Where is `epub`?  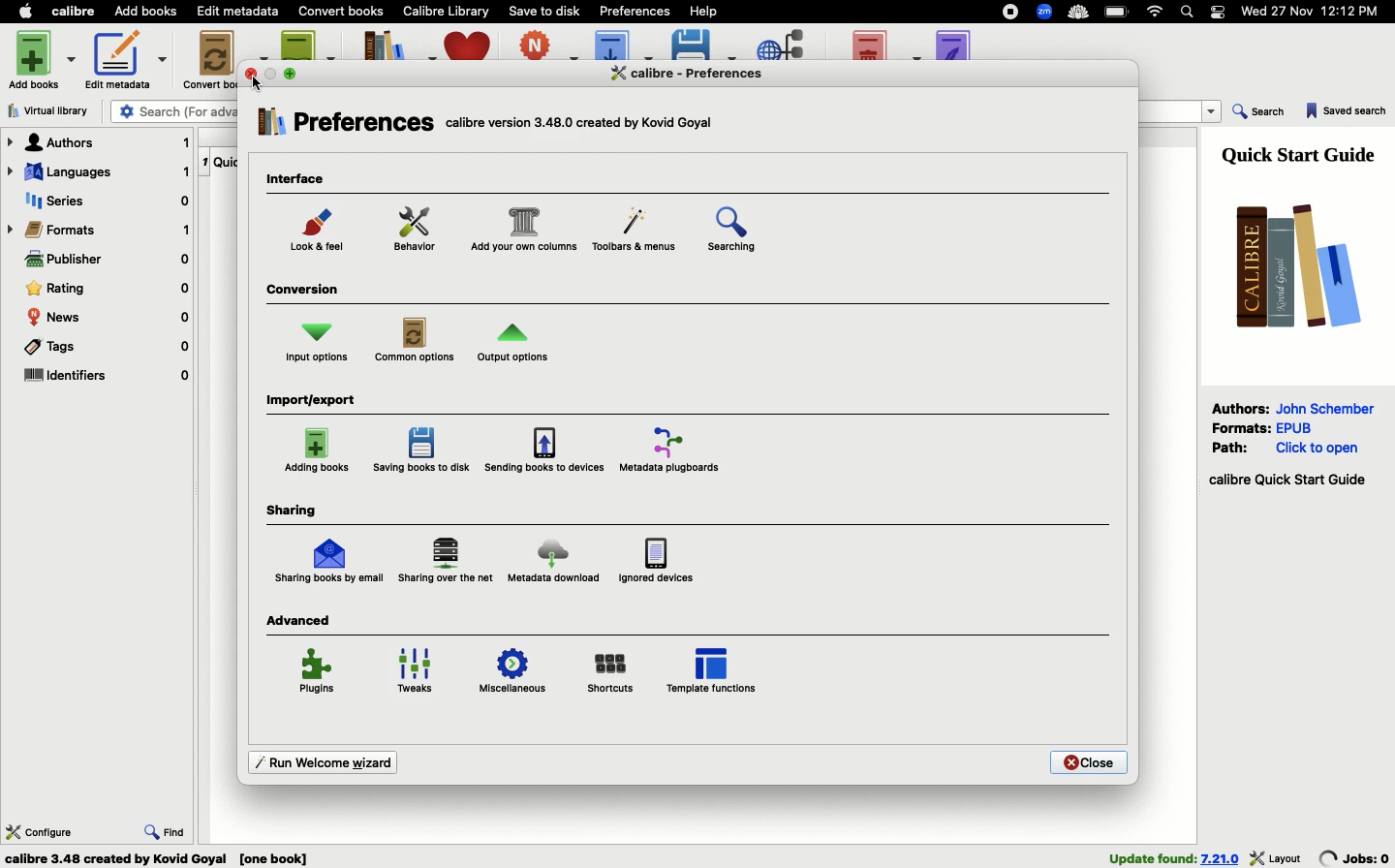 epub is located at coordinates (1294, 427).